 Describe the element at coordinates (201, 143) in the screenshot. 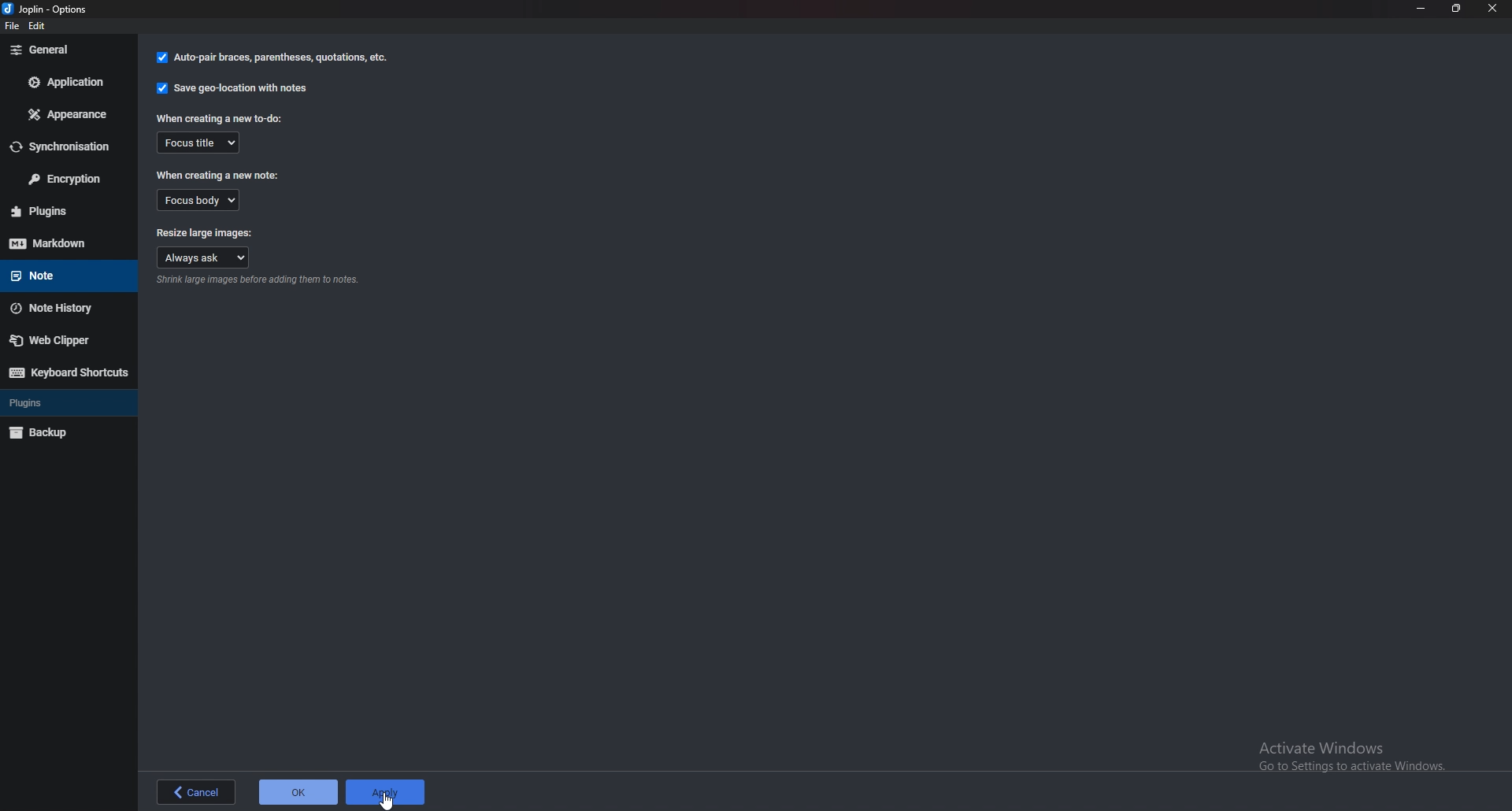

I see `Focus title` at that location.